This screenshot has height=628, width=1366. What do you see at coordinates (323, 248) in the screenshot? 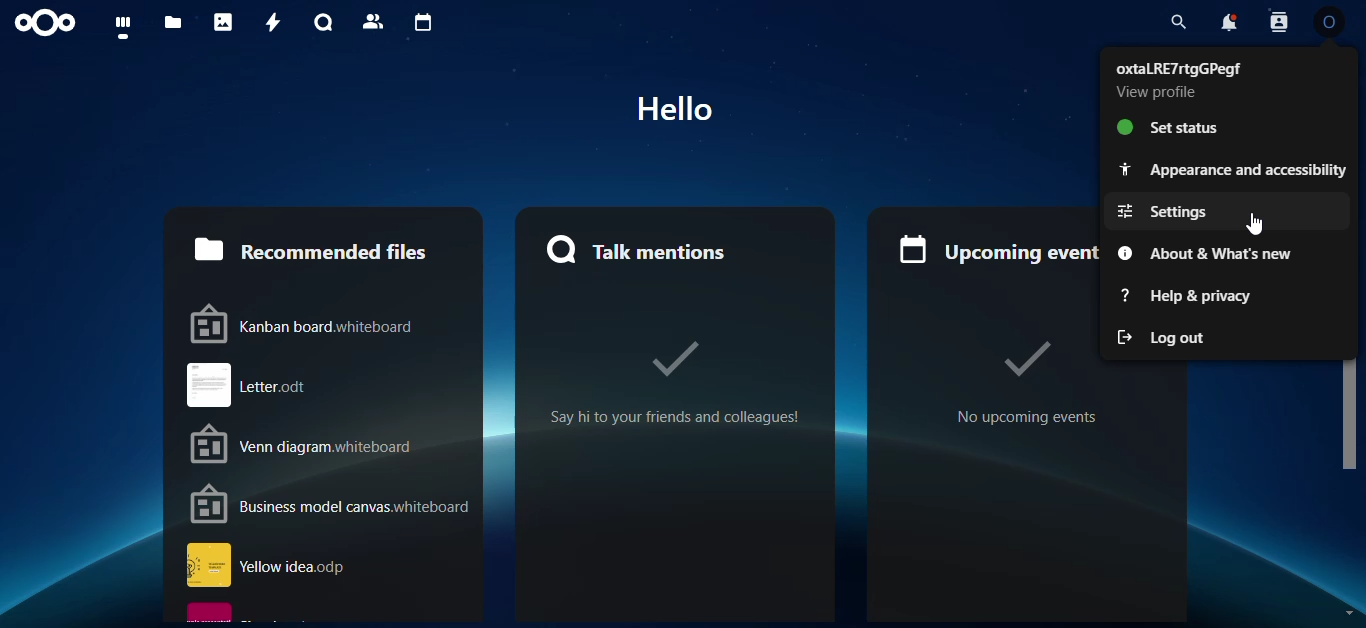
I see `recommended files` at bounding box center [323, 248].